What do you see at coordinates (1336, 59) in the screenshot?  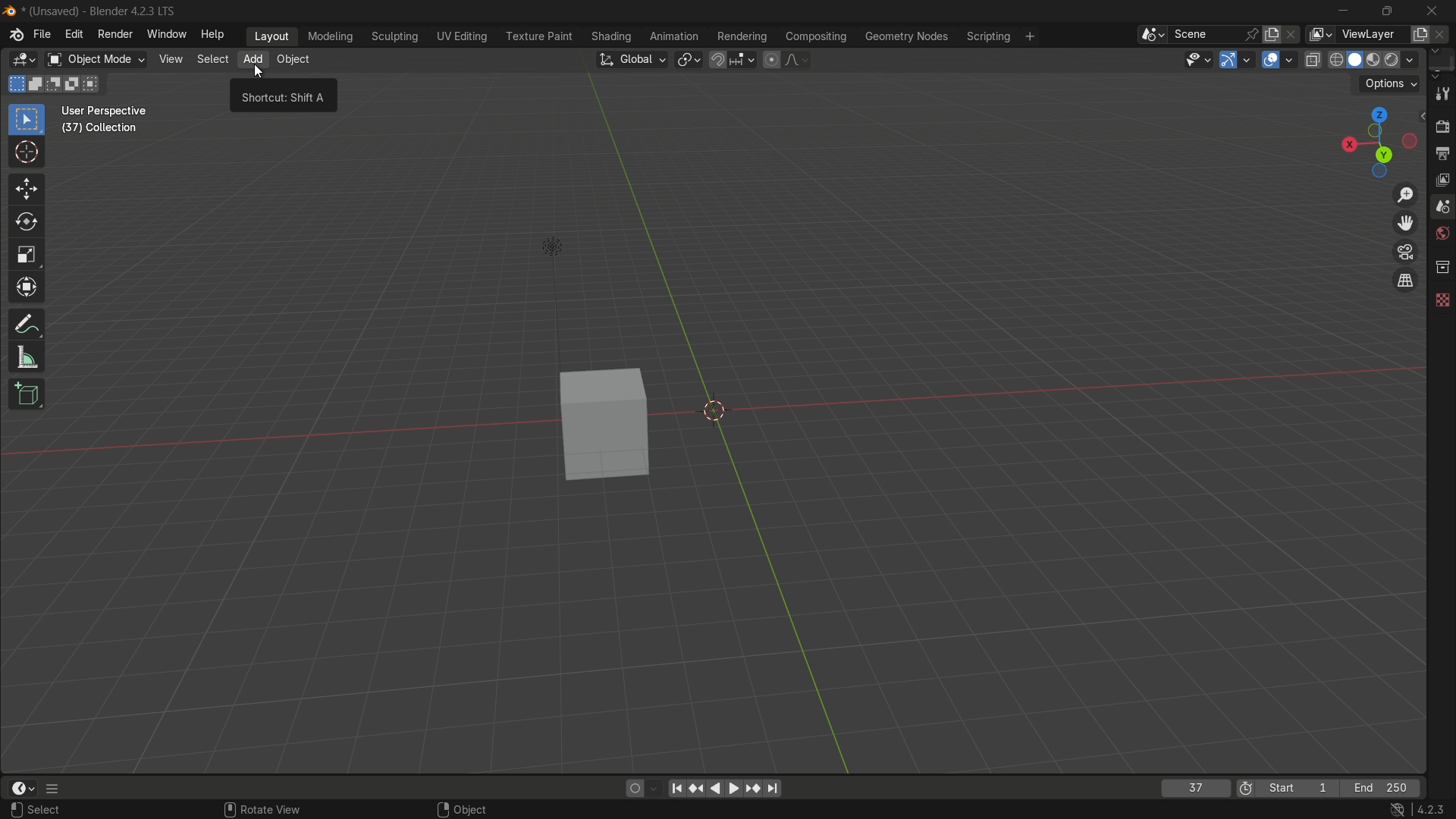 I see `wireframe` at bounding box center [1336, 59].